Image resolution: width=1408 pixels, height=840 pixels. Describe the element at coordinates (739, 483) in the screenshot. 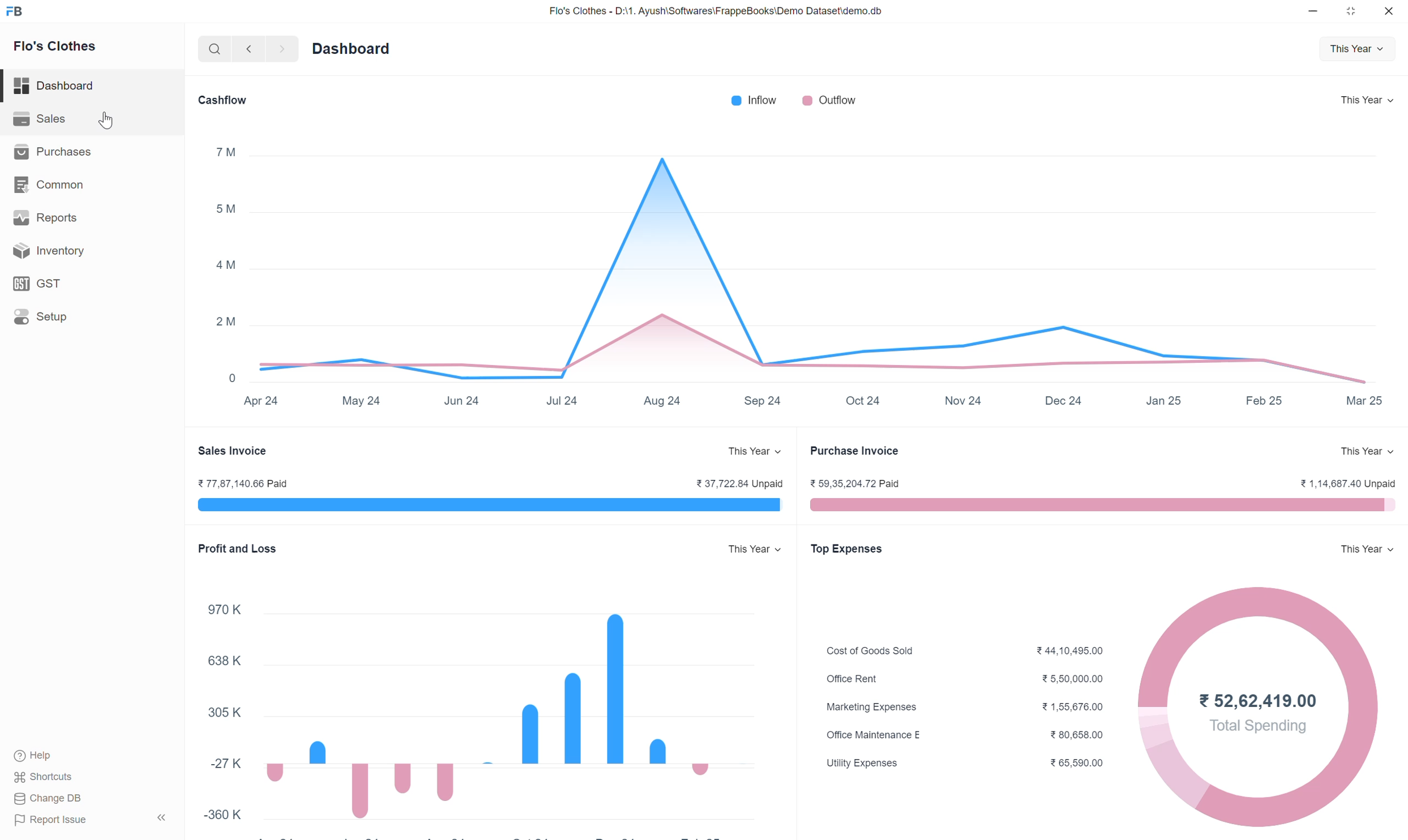

I see `Rs 37,722.84 Unpaid` at that location.